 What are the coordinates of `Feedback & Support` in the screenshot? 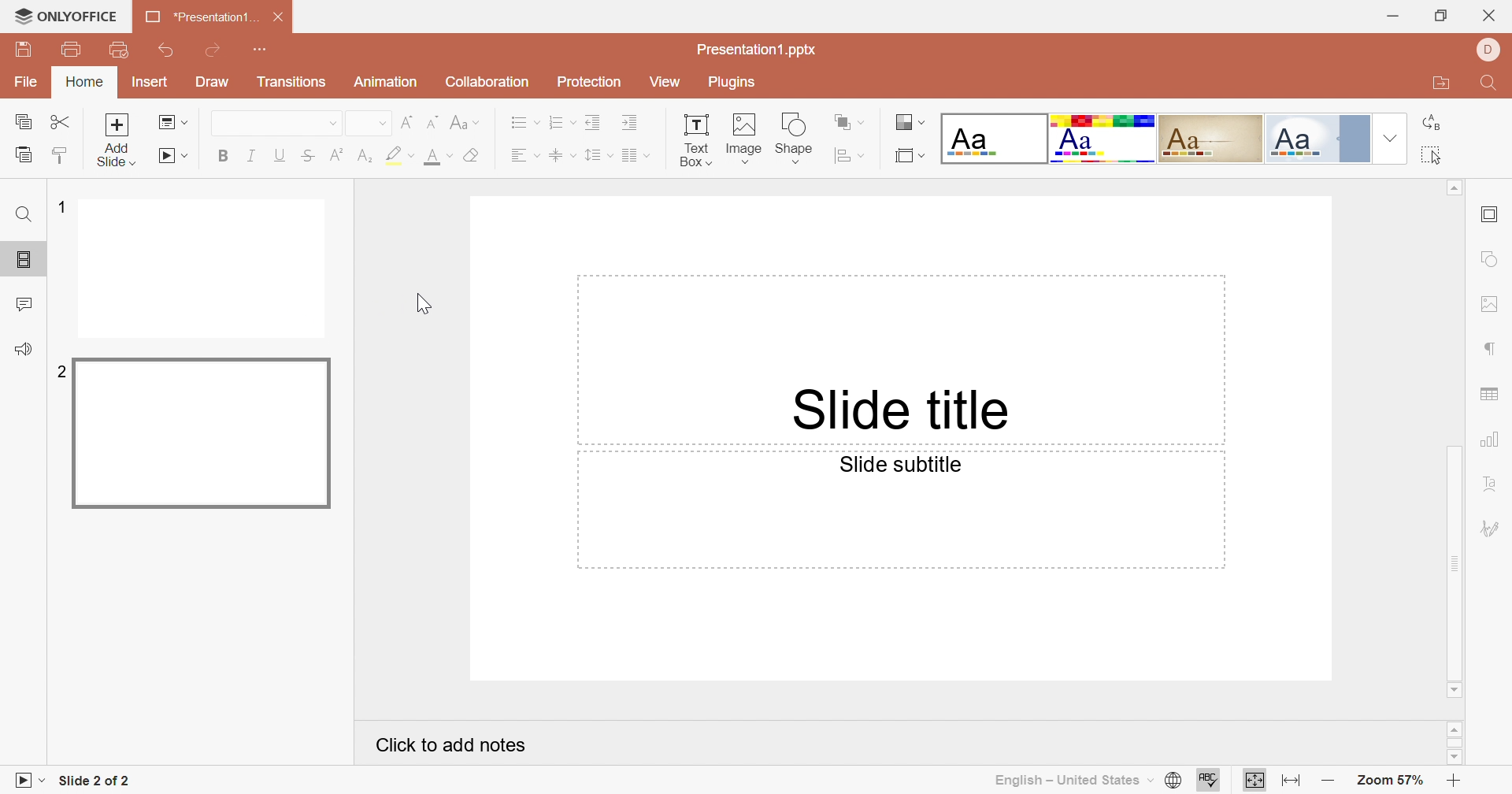 It's located at (24, 350).